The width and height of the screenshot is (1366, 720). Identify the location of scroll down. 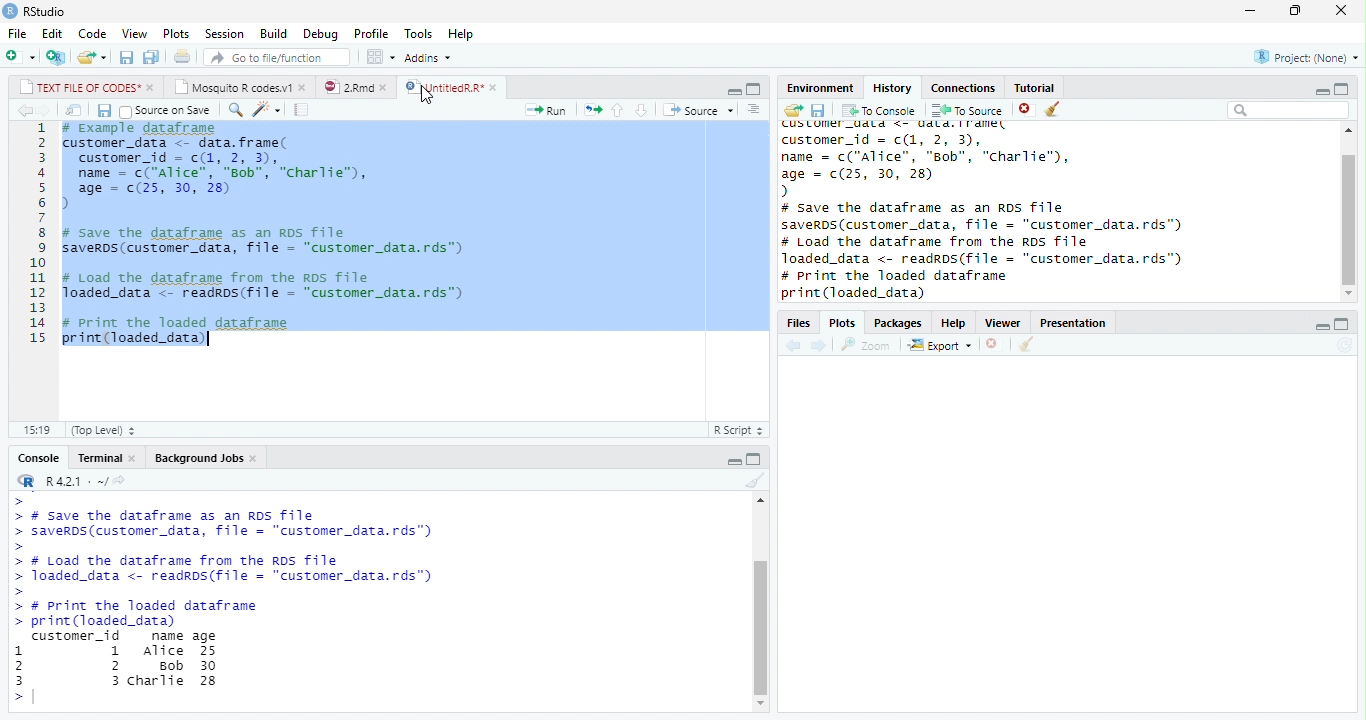
(1348, 293).